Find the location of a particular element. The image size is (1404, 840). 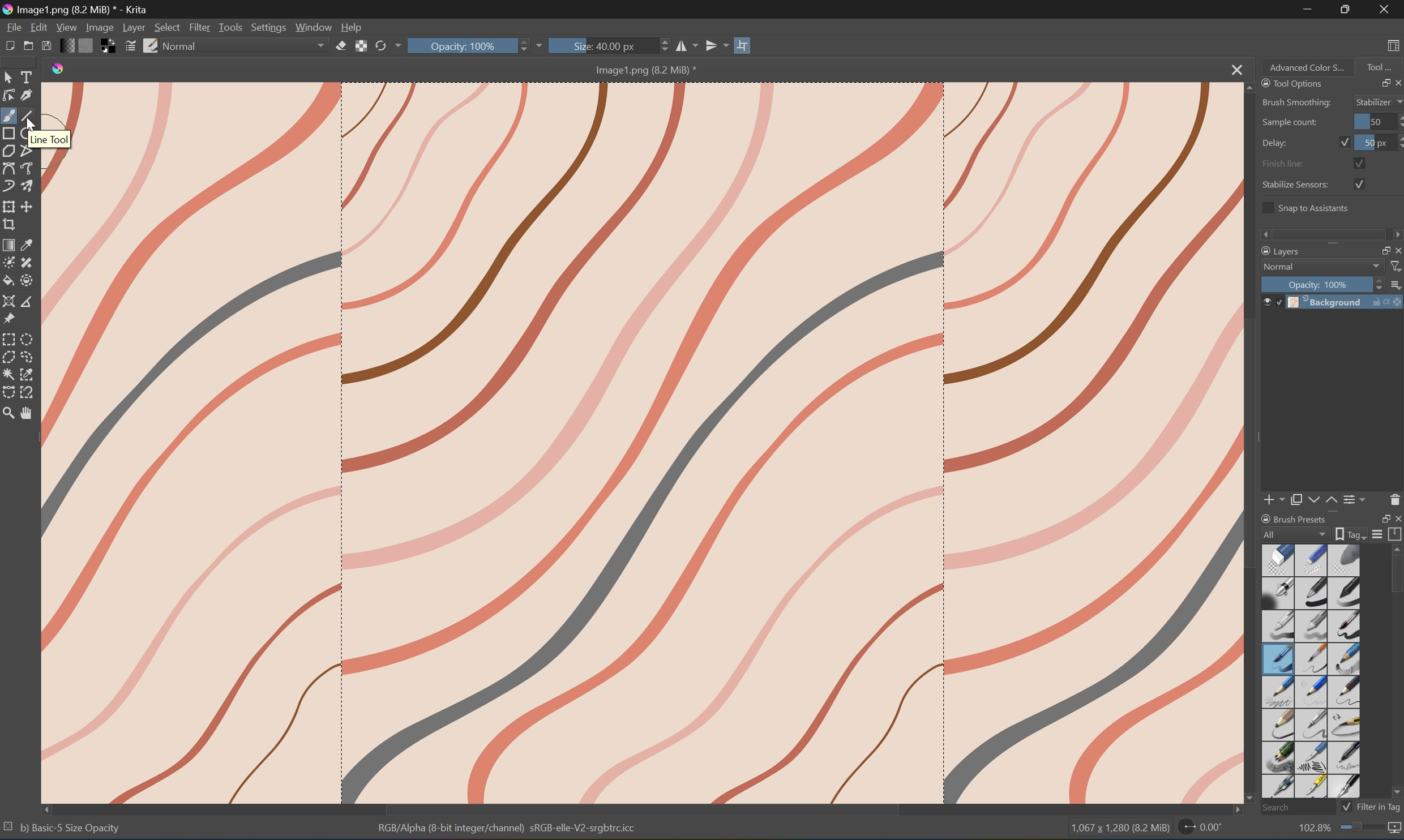

Filter is located at coordinates (200, 27).